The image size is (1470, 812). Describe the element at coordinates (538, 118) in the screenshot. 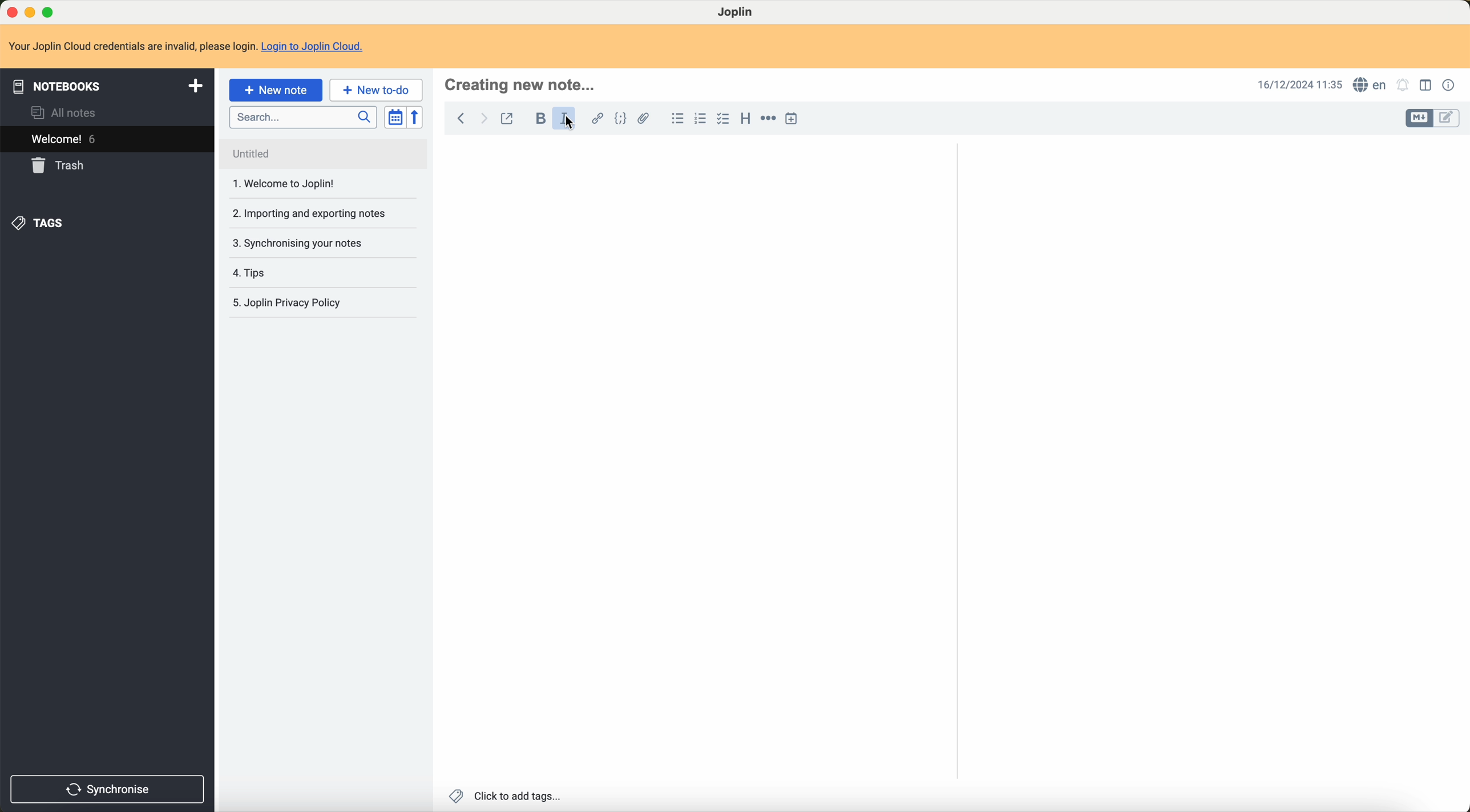

I see `bold` at that location.